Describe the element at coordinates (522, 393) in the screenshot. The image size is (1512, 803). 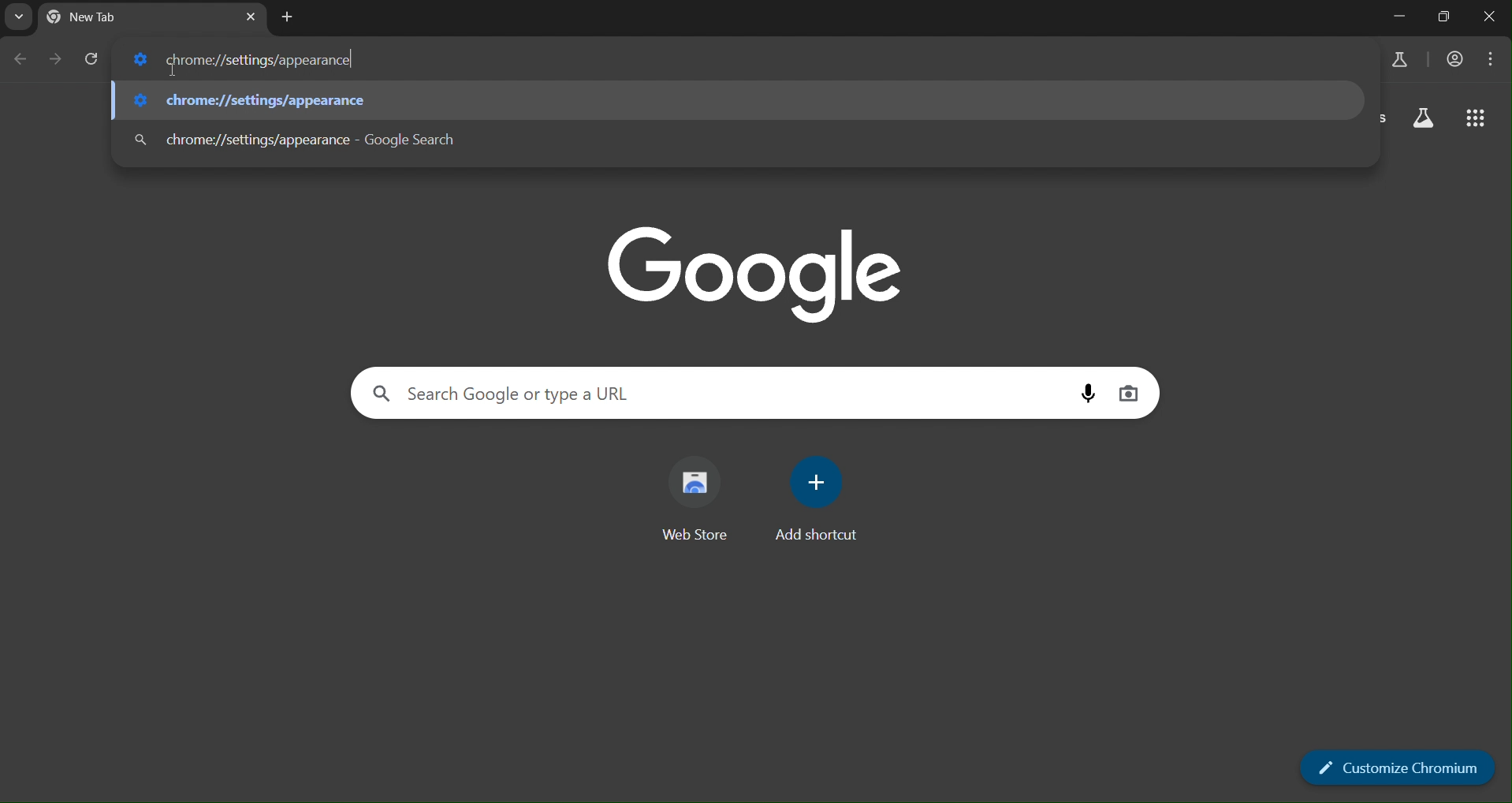
I see `search google or type a URL` at that location.